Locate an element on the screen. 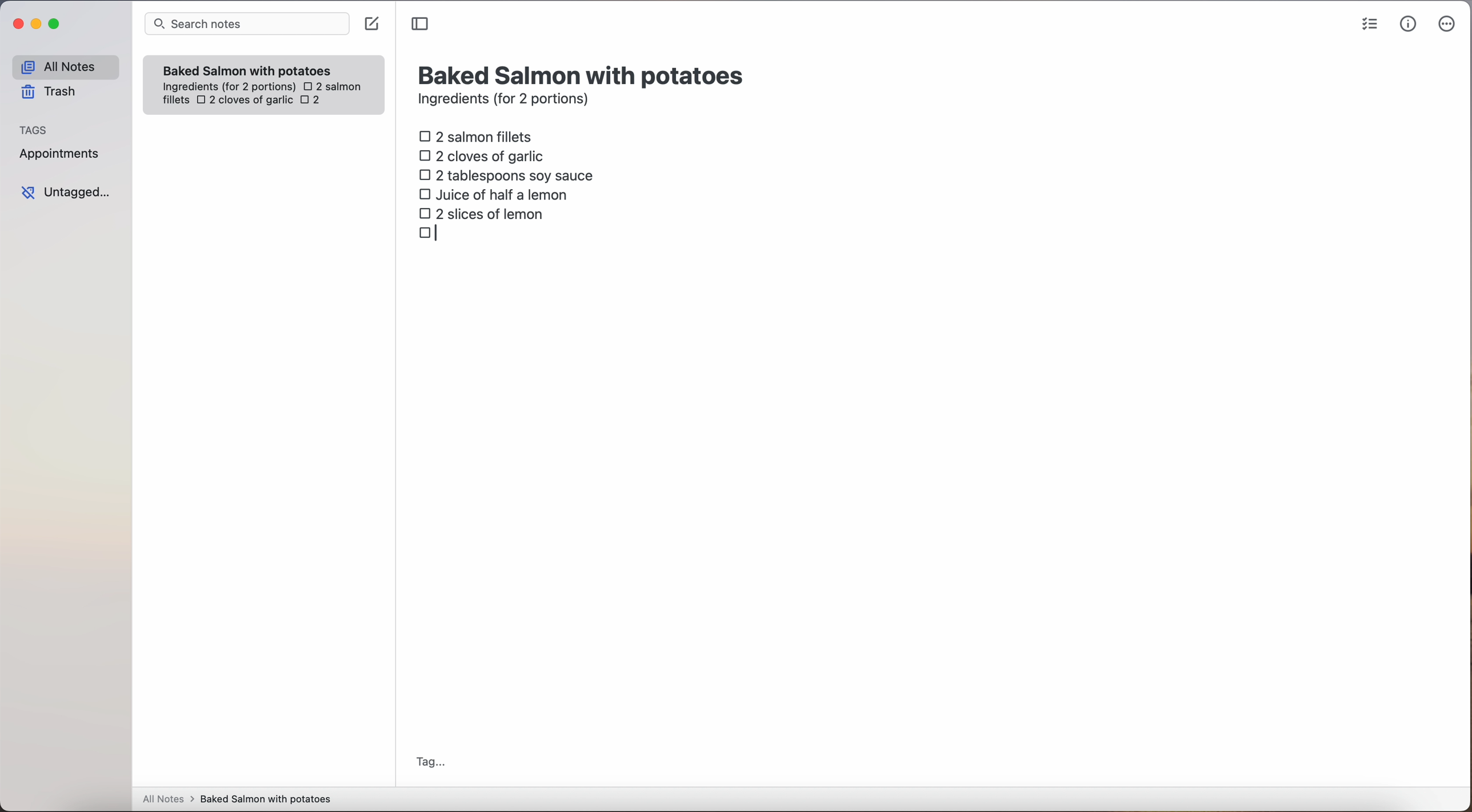 The width and height of the screenshot is (1472, 812). untagged is located at coordinates (67, 192).